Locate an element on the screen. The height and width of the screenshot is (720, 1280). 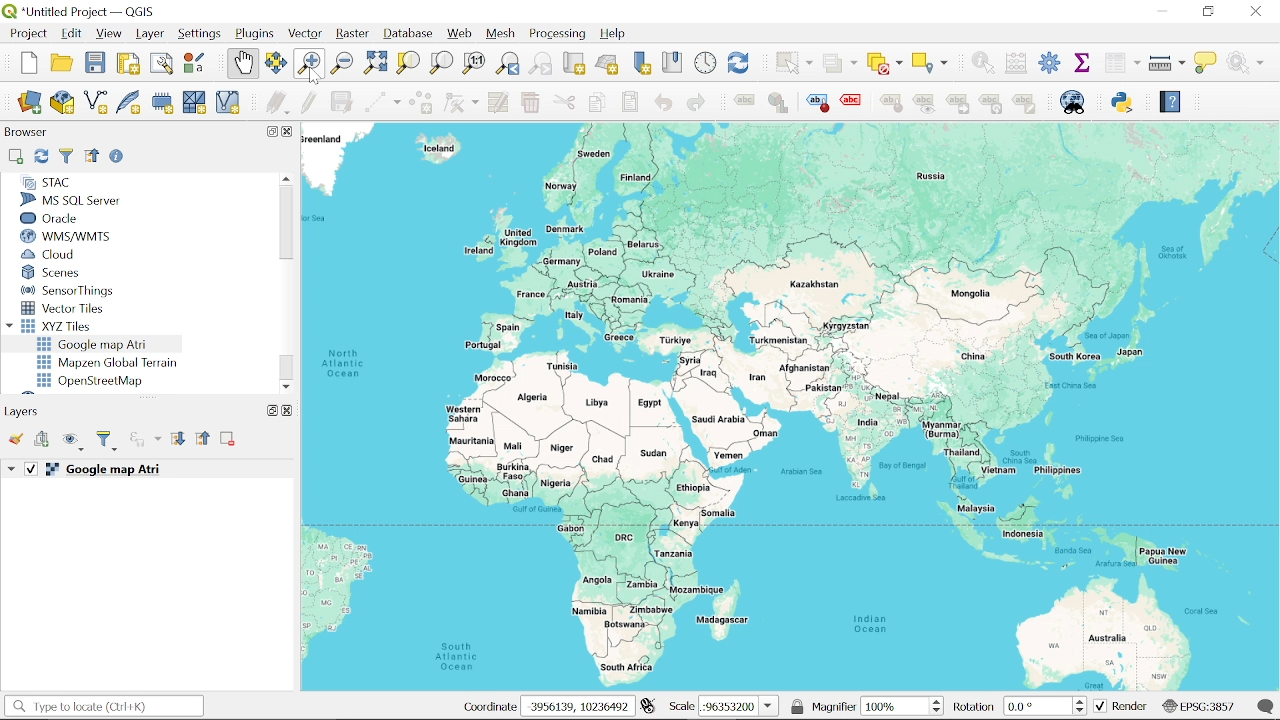
Zoom next is located at coordinates (541, 64).